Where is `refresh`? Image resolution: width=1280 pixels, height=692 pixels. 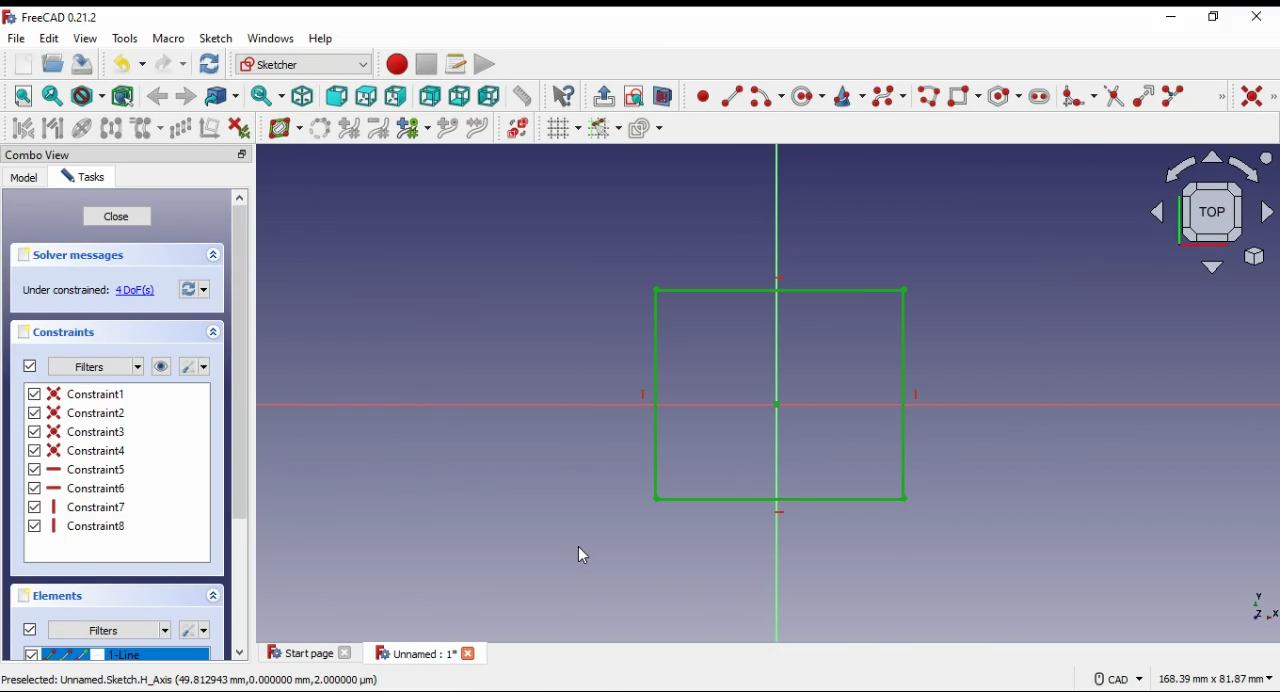
refresh is located at coordinates (210, 63).